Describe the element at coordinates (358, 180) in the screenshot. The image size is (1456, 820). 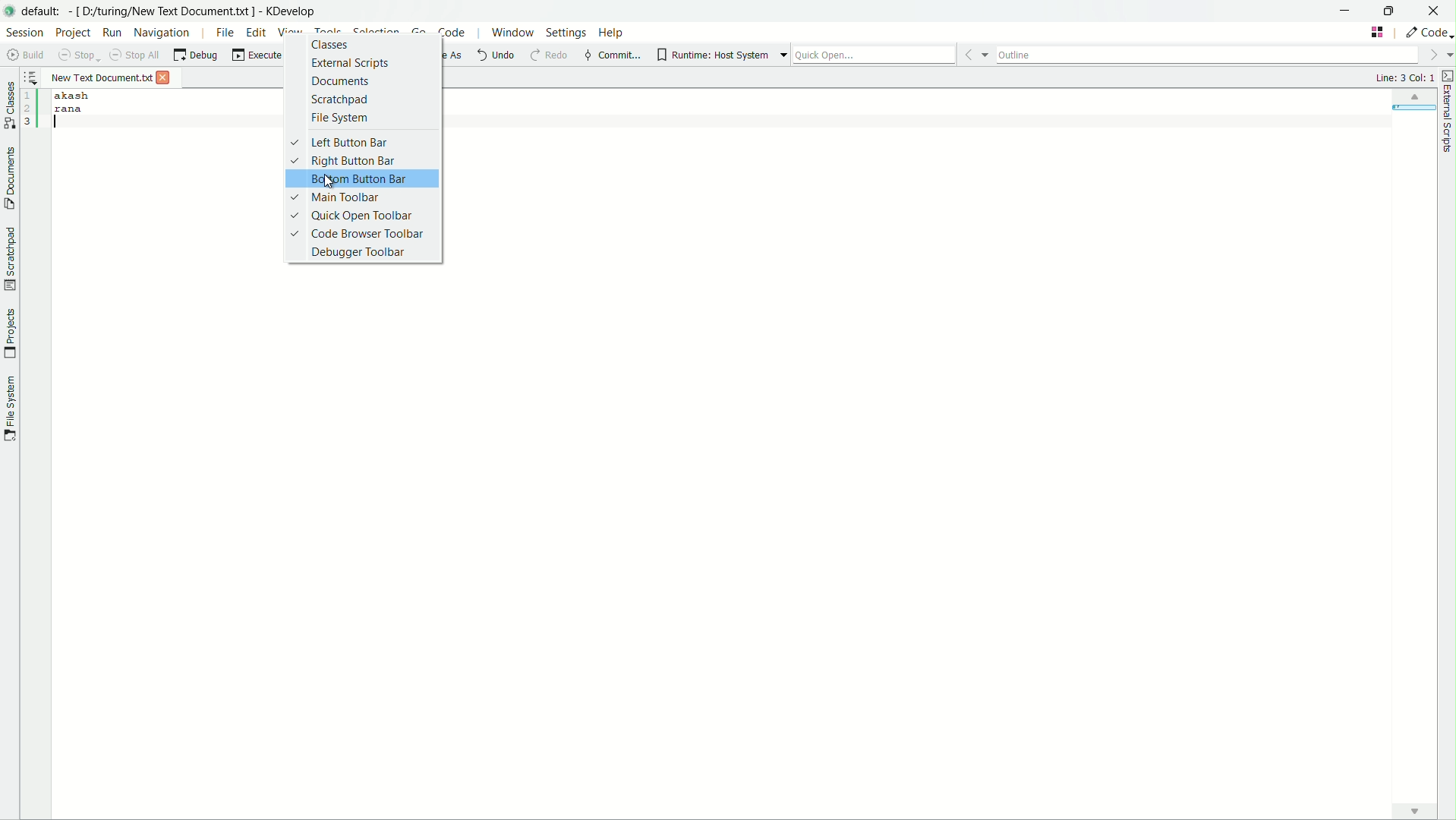
I see `bottom button bar` at that location.